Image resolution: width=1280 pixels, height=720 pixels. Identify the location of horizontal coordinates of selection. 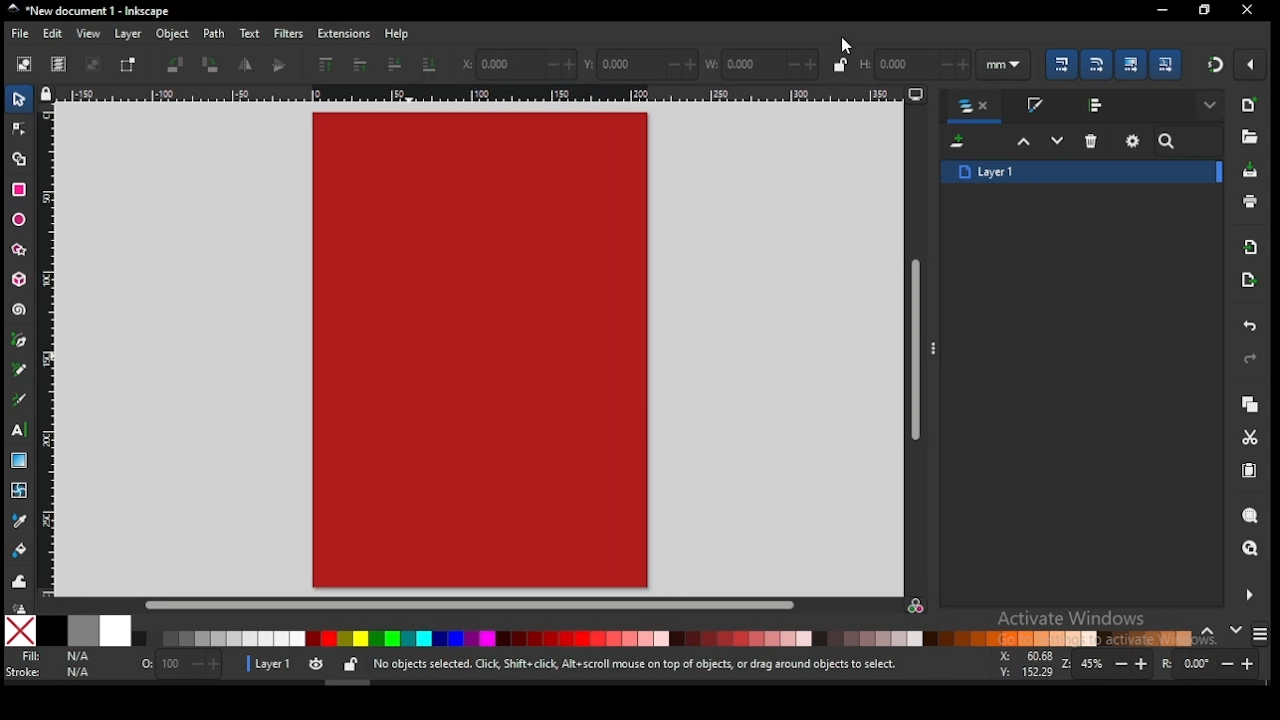
(518, 63).